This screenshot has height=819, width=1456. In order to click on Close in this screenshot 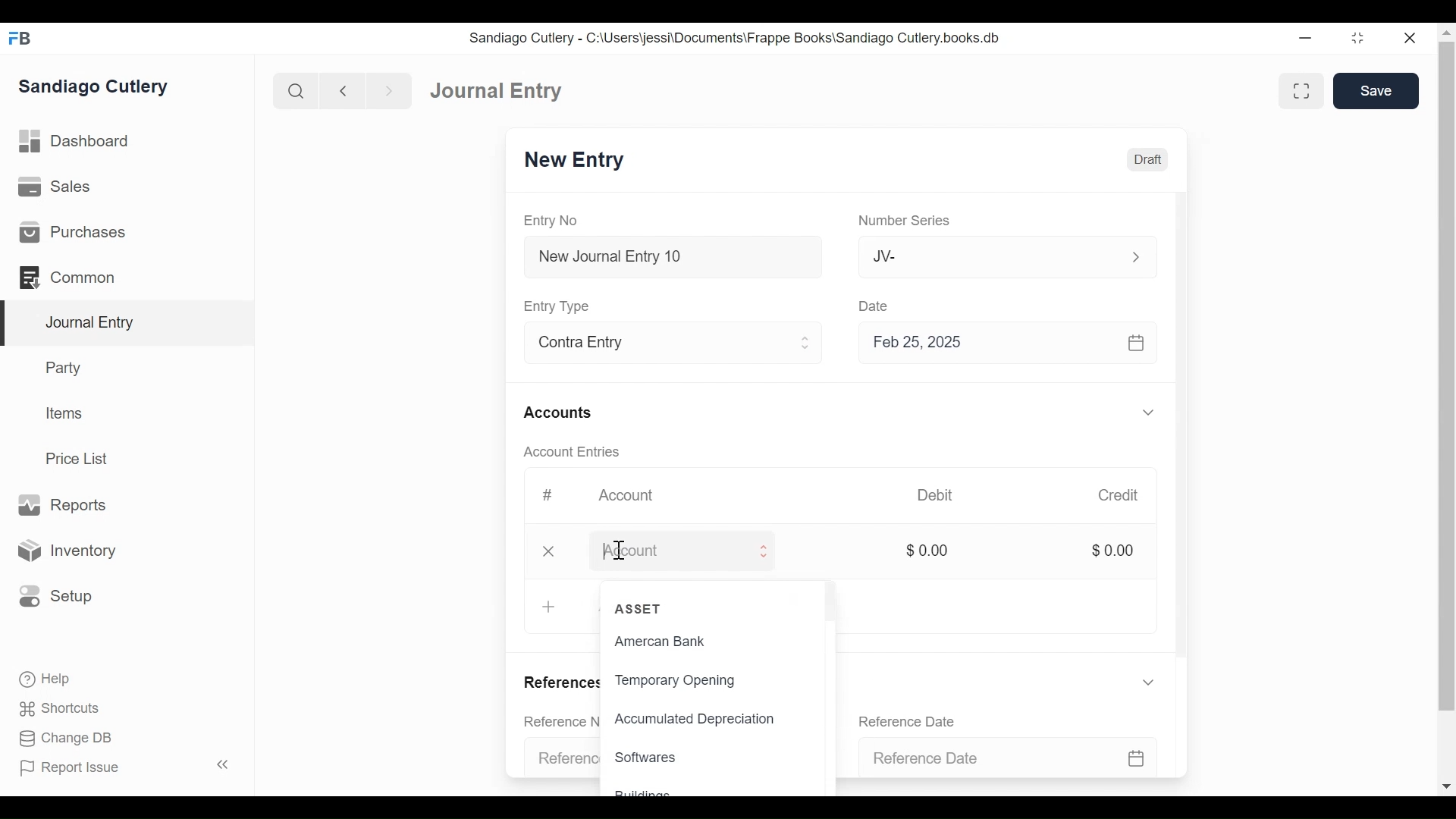, I will do `click(551, 551)`.